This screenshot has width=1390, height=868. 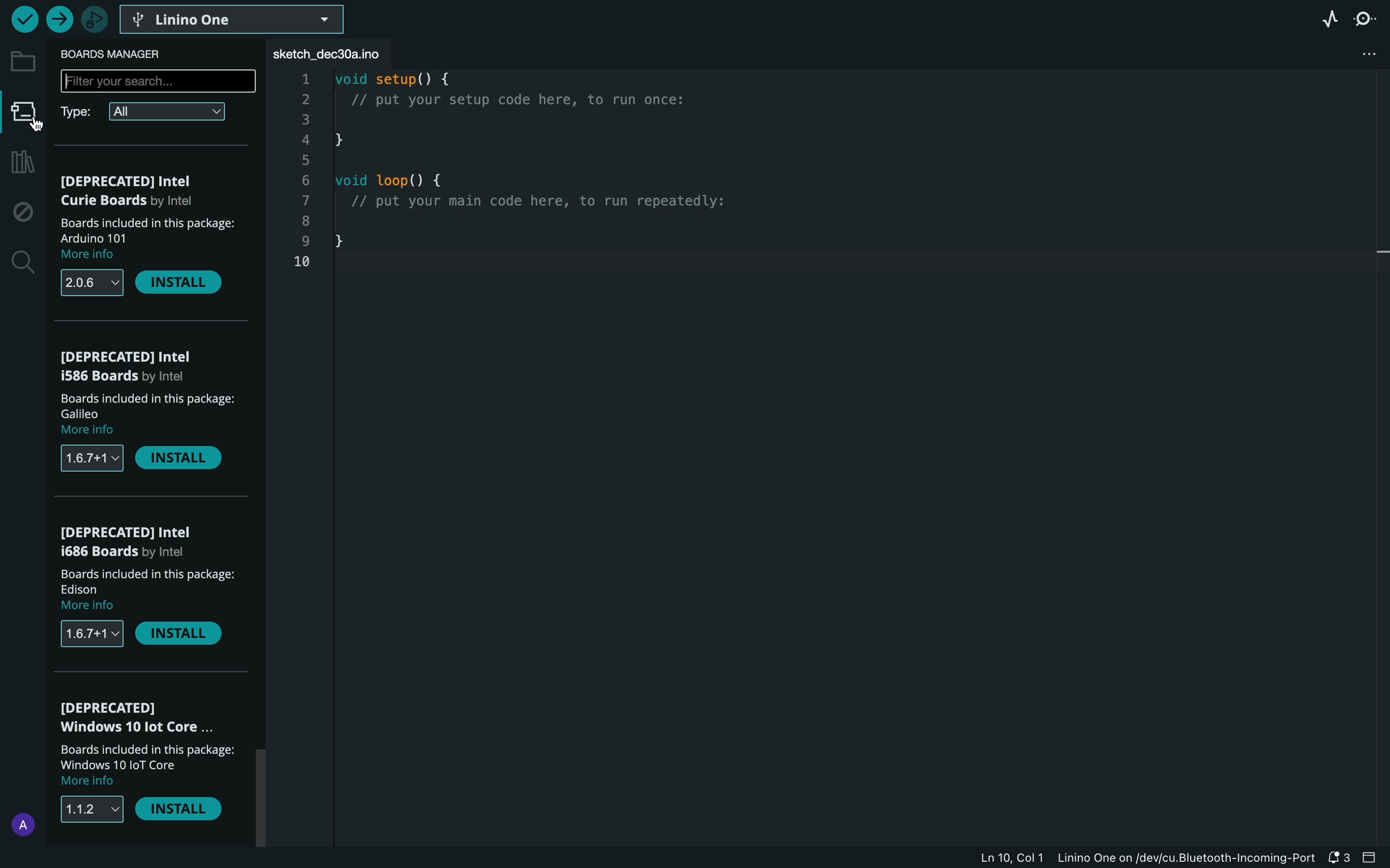 What do you see at coordinates (149, 414) in the screenshot?
I see `description` at bounding box center [149, 414].